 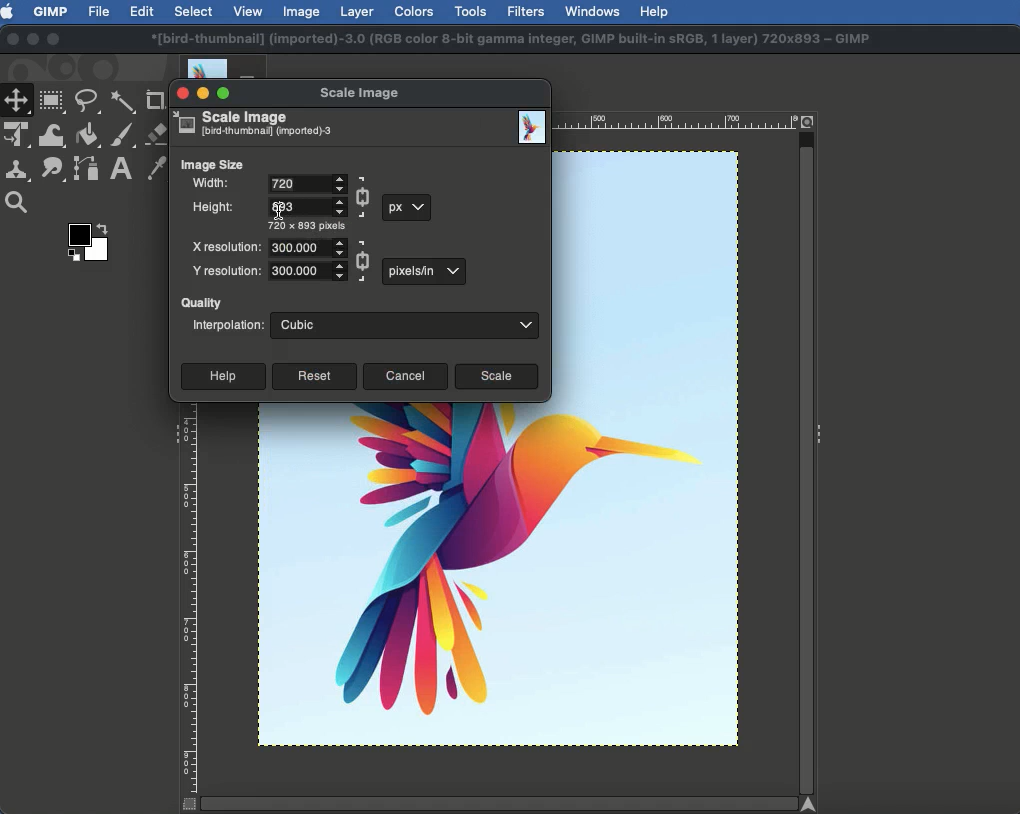 I want to click on Paths, so click(x=86, y=169).